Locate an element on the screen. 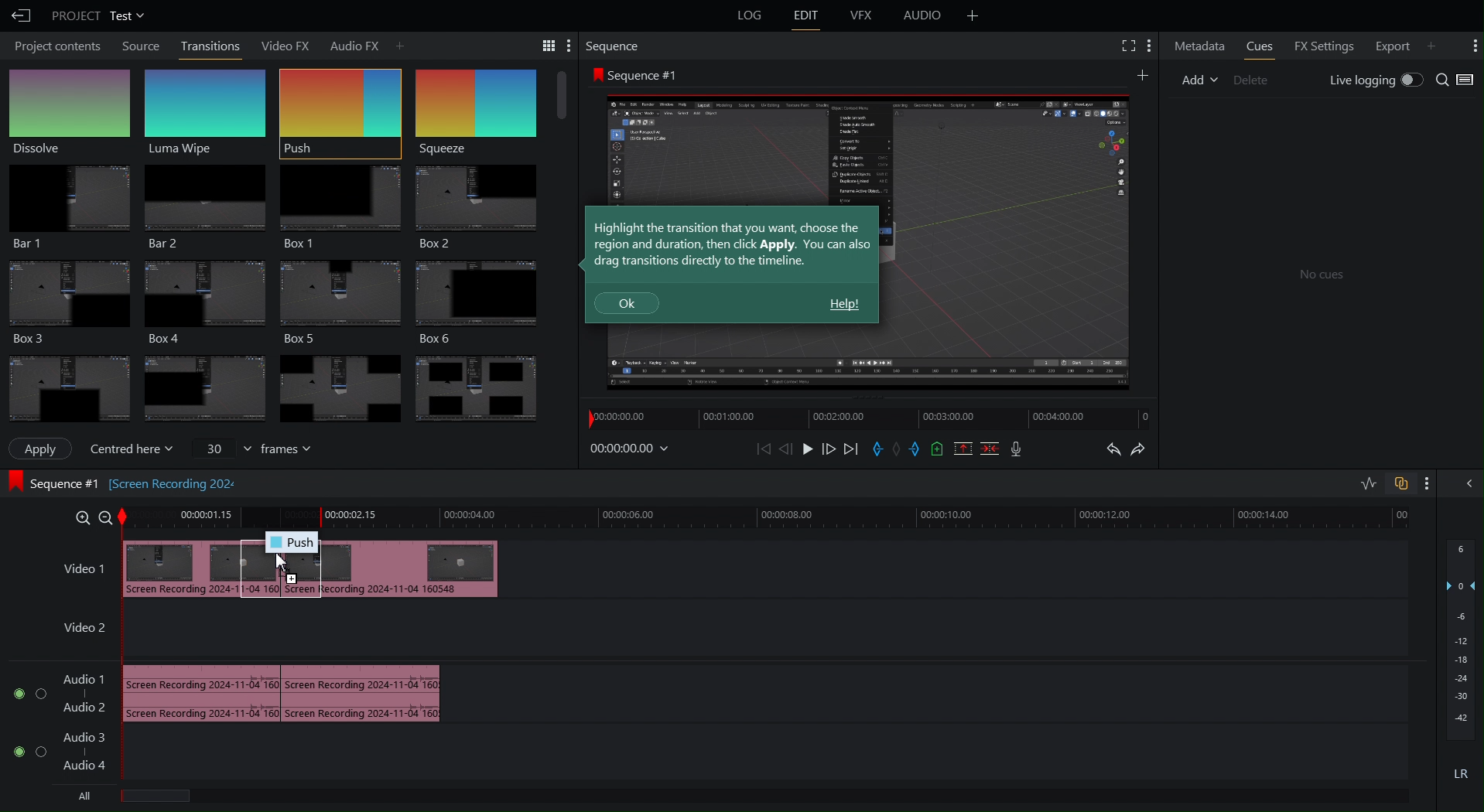  Box 4 is located at coordinates (201, 302).